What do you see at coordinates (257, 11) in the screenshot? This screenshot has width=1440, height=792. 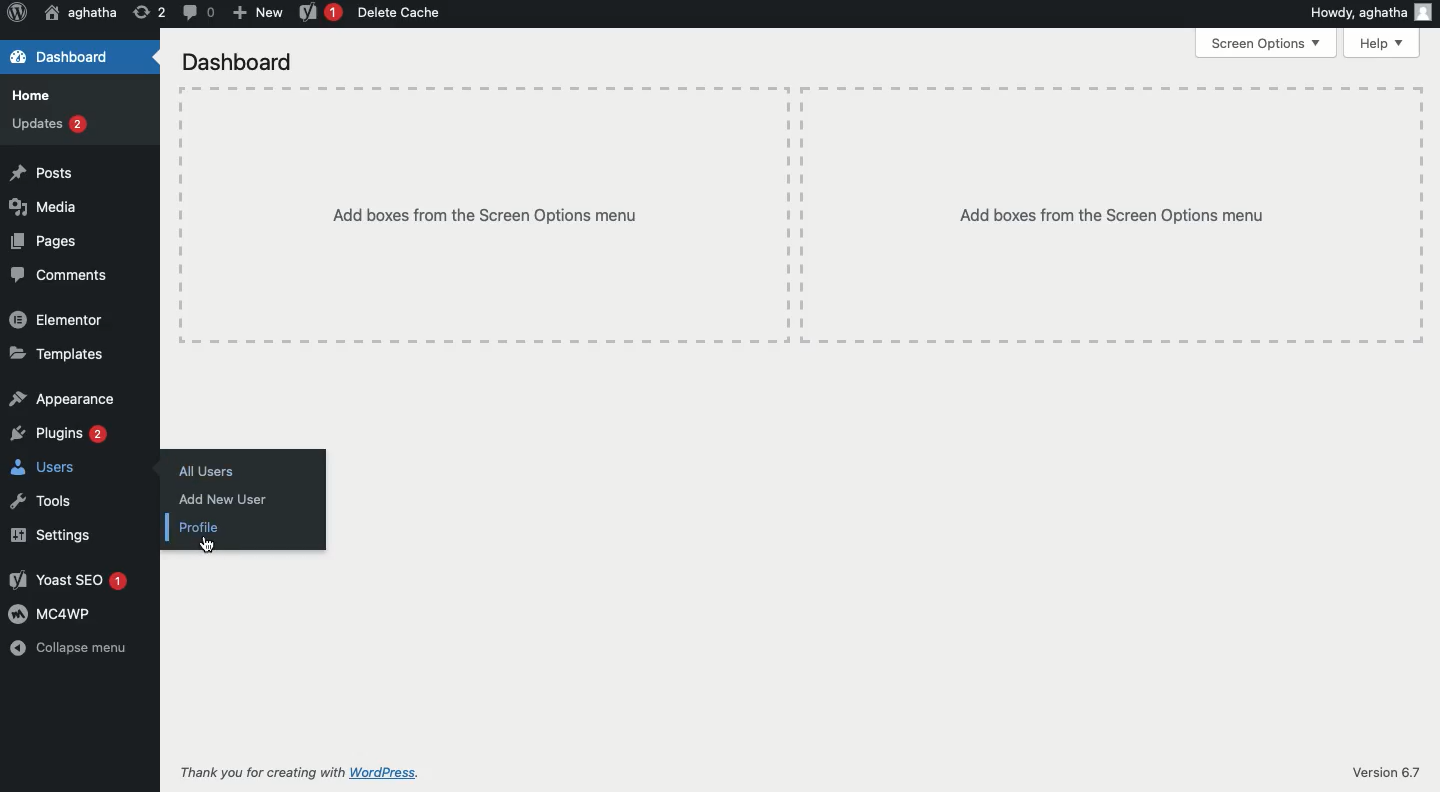 I see `New` at bounding box center [257, 11].